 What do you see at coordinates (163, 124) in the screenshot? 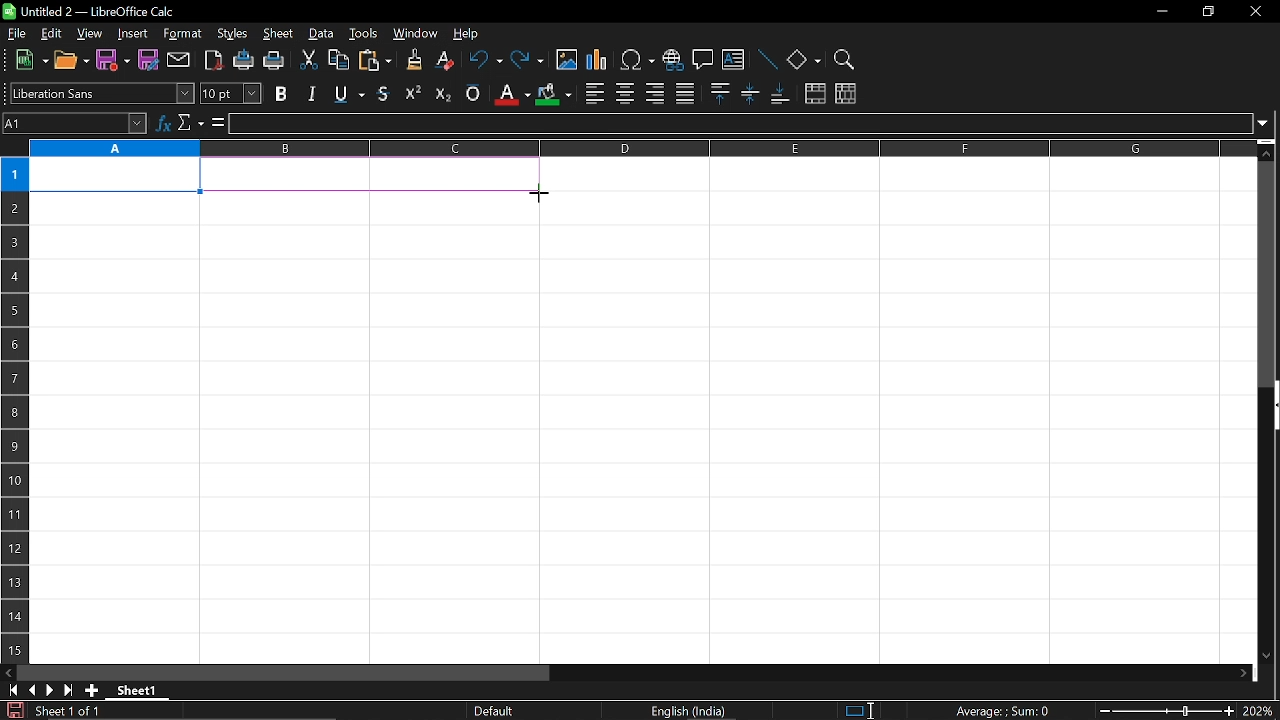
I see `function wizard` at bounding box center [163, 124].